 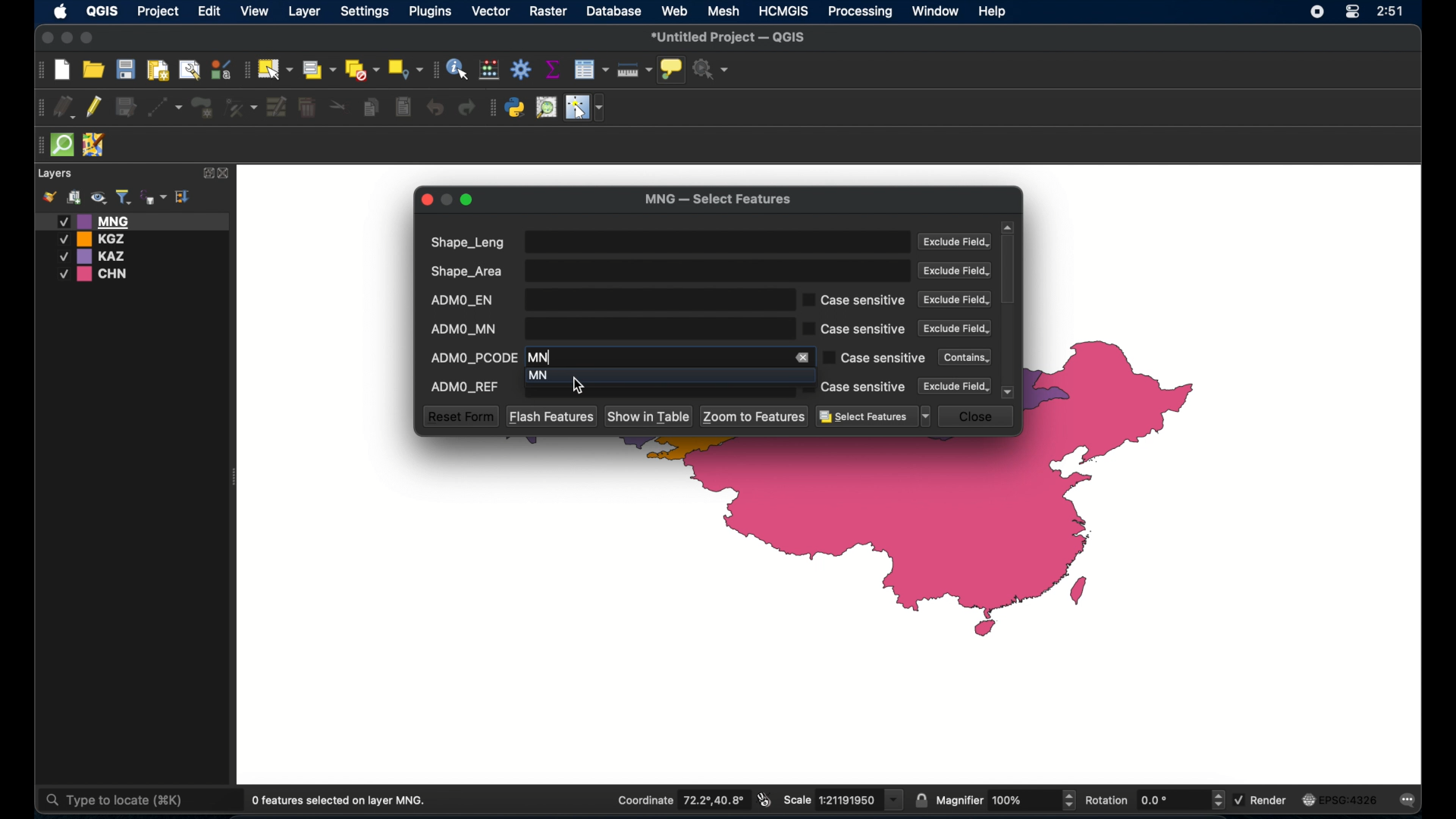 I want to click on project toolbar, so click(x=38, y=71).